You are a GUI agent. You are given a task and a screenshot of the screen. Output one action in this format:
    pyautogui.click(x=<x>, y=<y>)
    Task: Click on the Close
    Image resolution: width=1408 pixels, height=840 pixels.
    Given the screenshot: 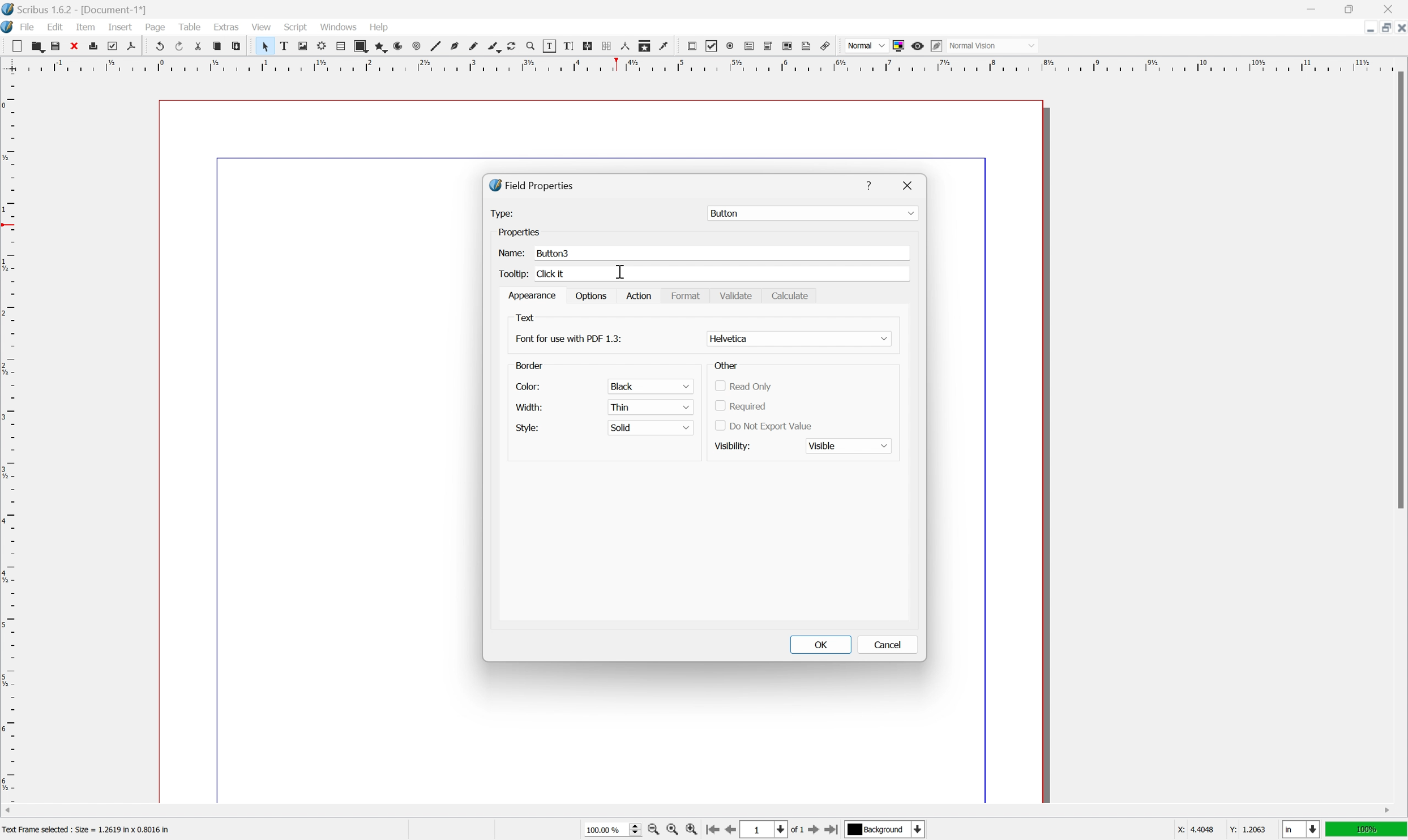 What is the action you would take?
    pyautogui.click(x=912, y=186)
    